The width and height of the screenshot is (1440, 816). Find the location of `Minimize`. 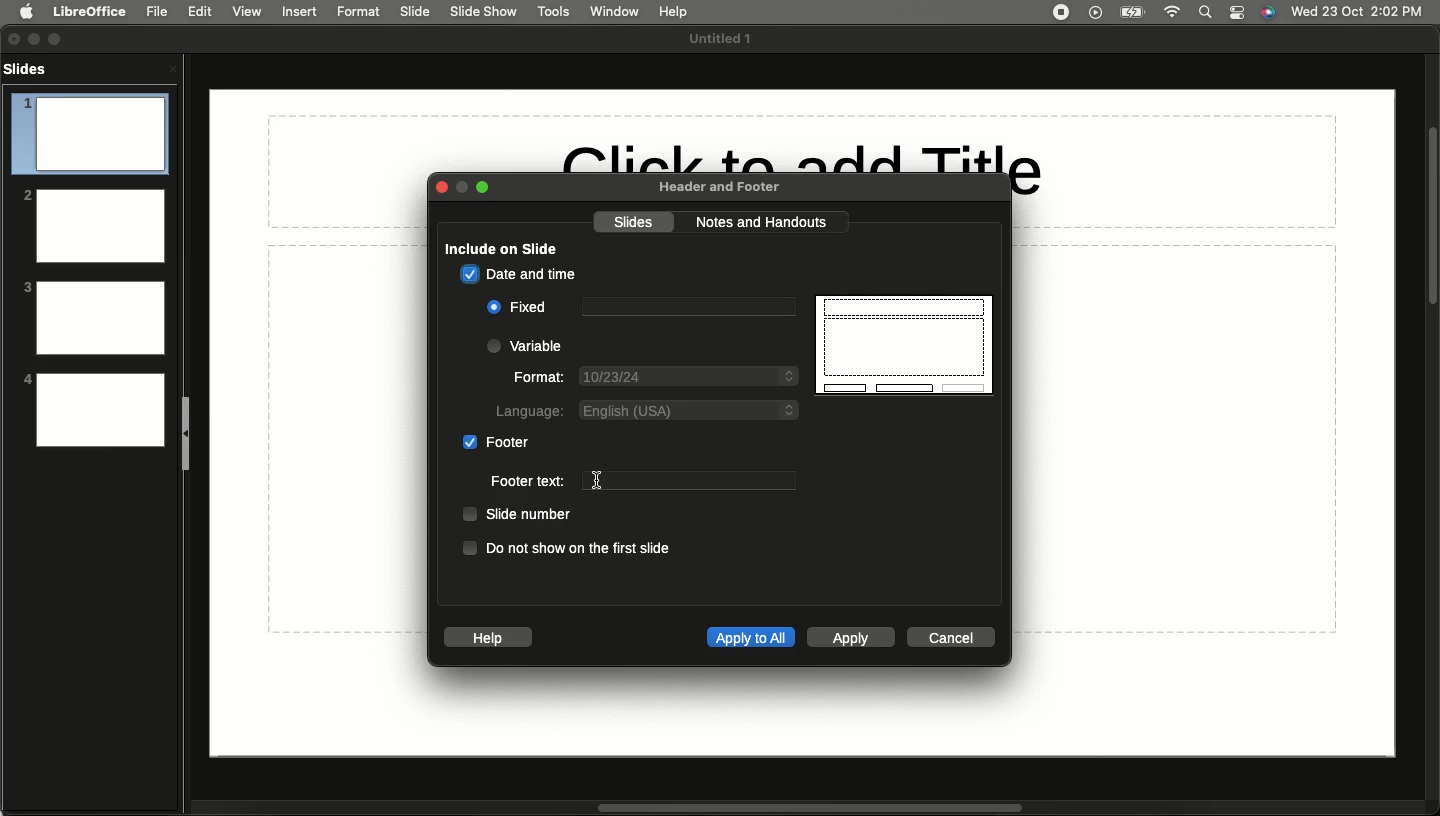

Minimize is located at coordinates (39, 39).